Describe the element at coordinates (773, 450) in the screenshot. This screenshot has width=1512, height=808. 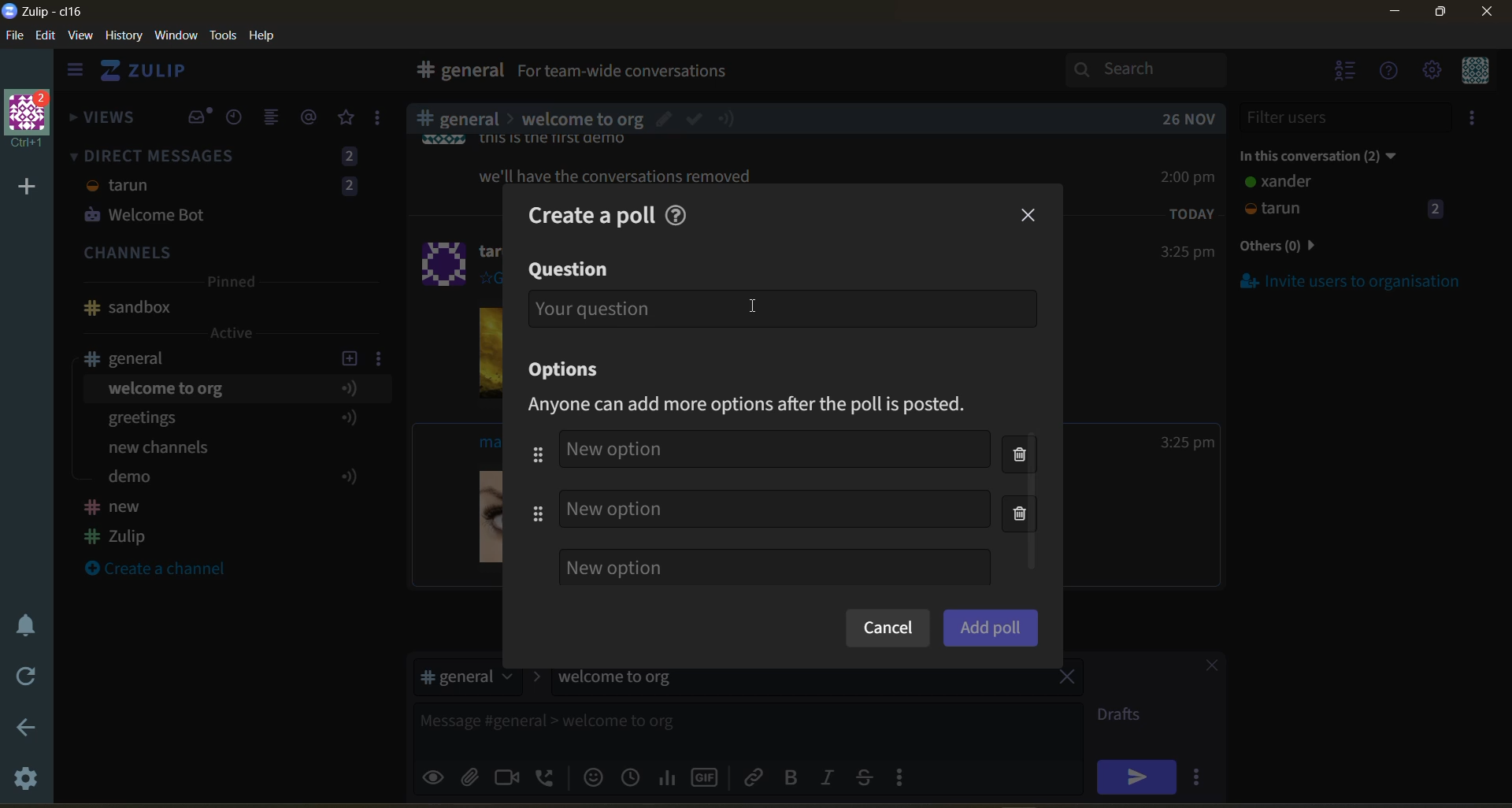
I see `new option` at that location.